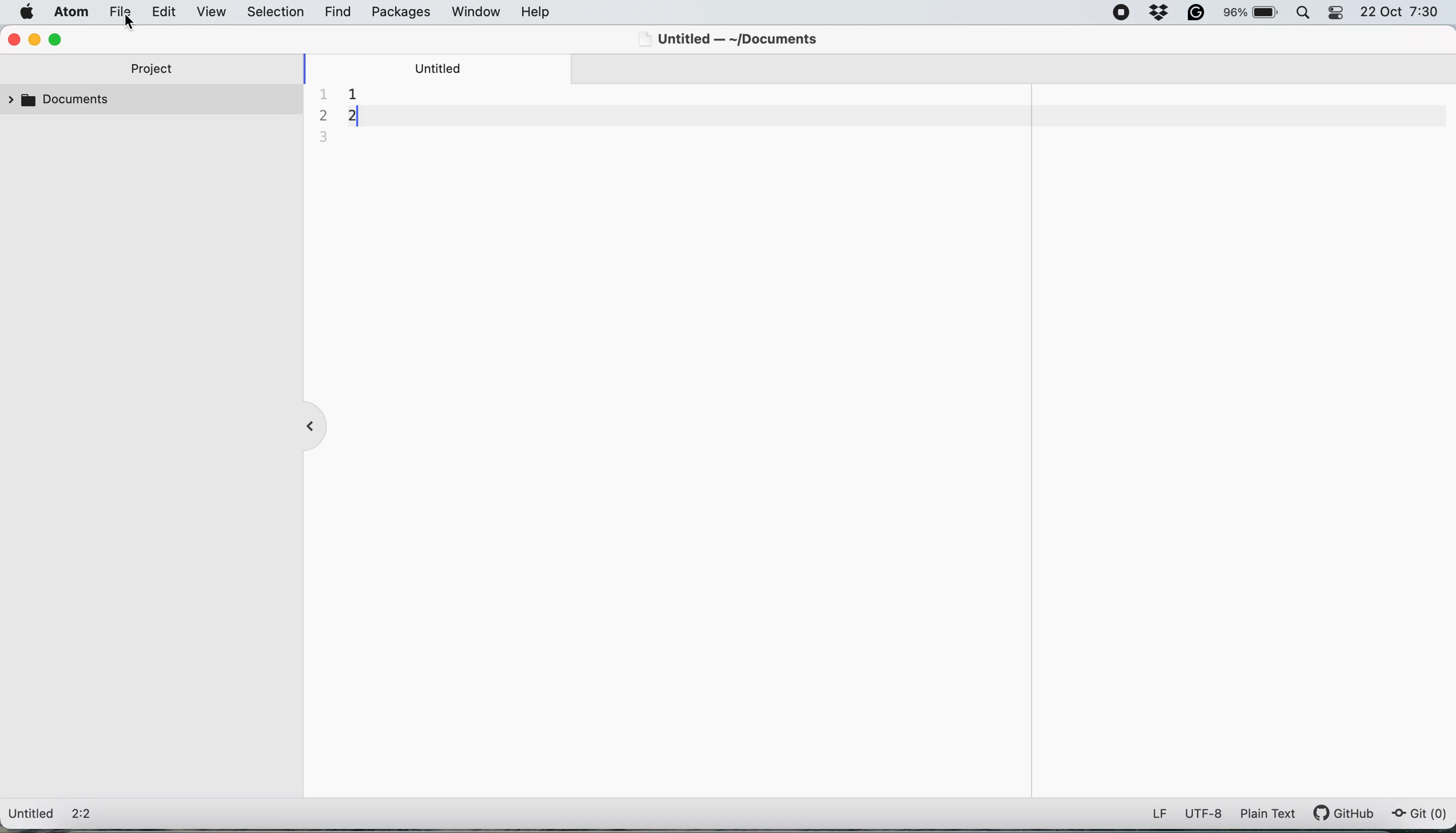 The image size is (1456, 833). I want to click on grammarly, so click(1195, 15).